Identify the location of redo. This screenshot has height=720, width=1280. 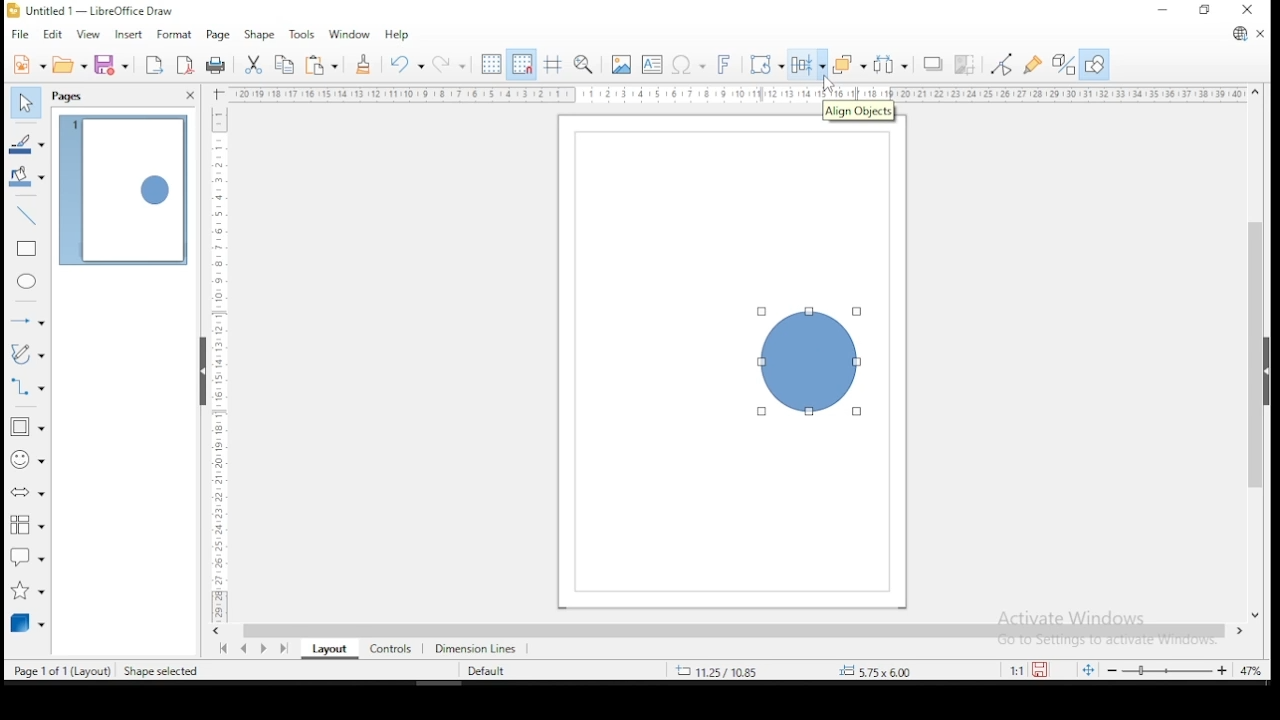
(448, 63).